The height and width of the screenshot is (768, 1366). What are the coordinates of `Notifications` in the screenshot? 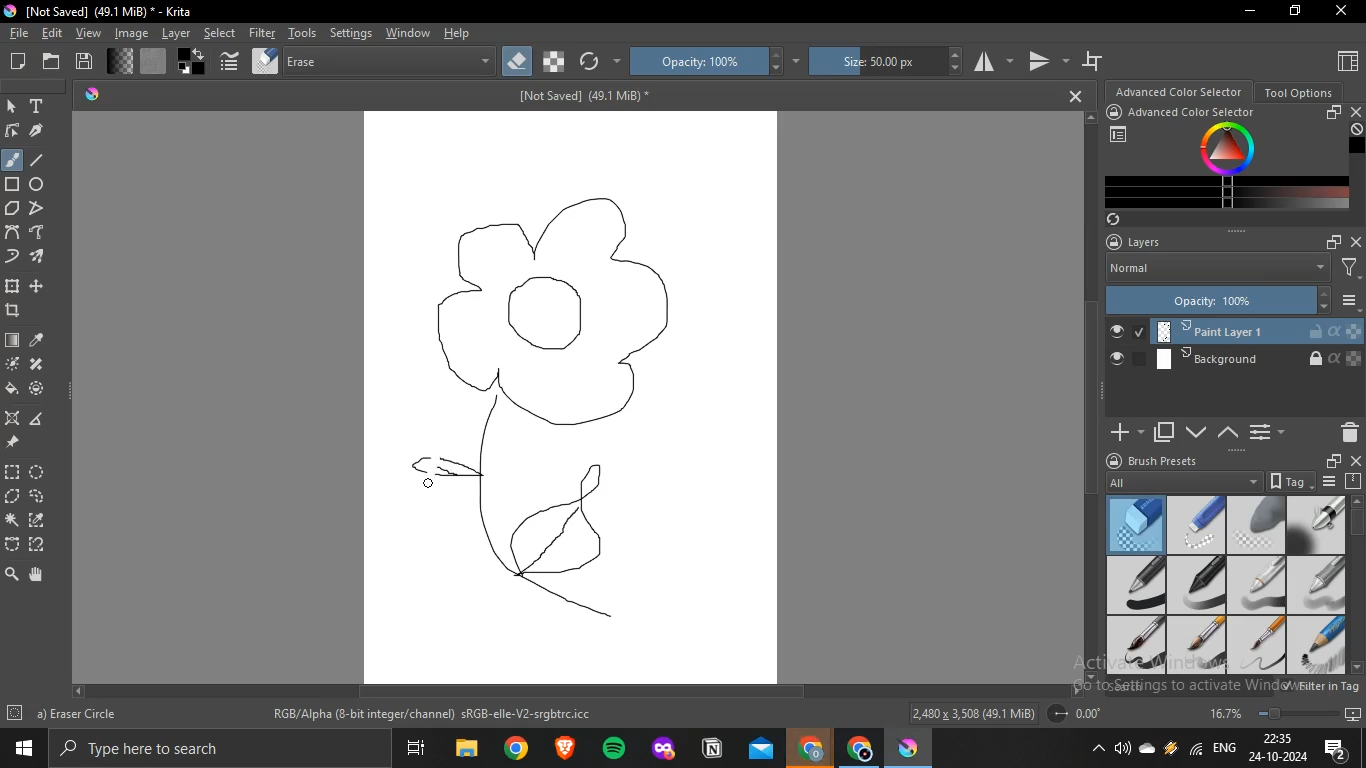 It's located at (1336, 747).